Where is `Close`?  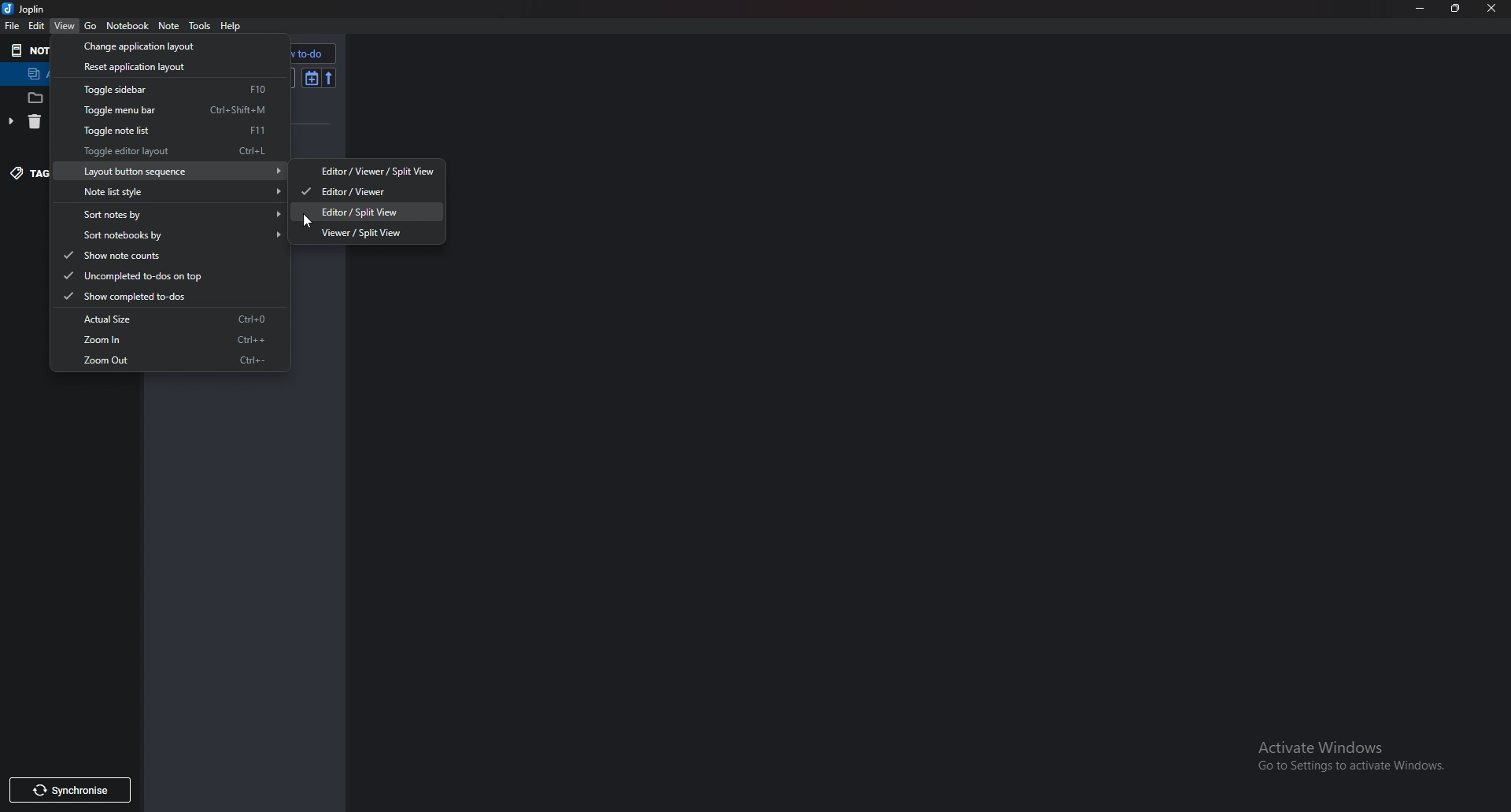 Close is located at coordinates (1490, 8).